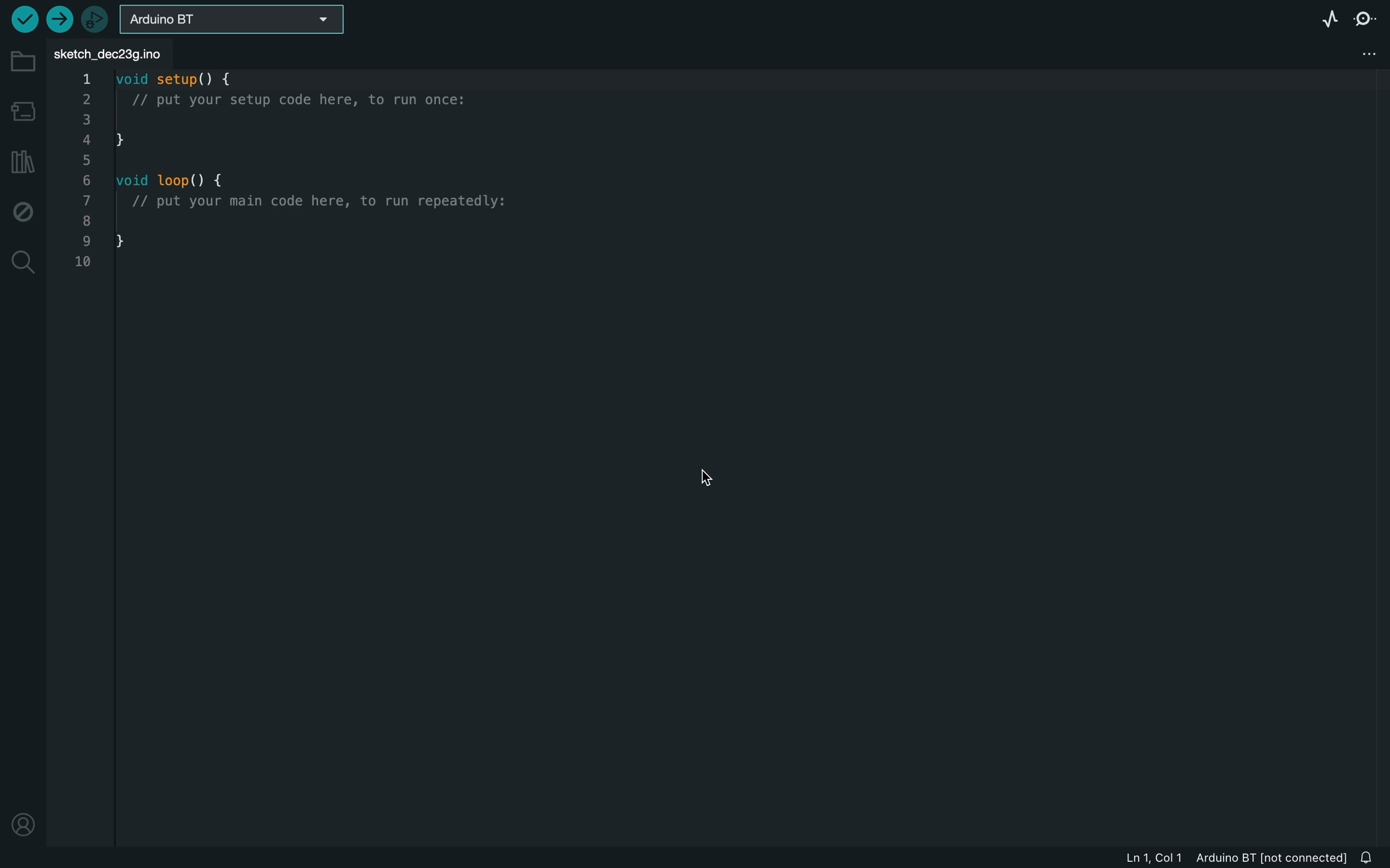 The width and height of the screenshot is (1390, 868). Describe the element at coordinates (23, 61) in the screenshot. I see `folder` at that location.